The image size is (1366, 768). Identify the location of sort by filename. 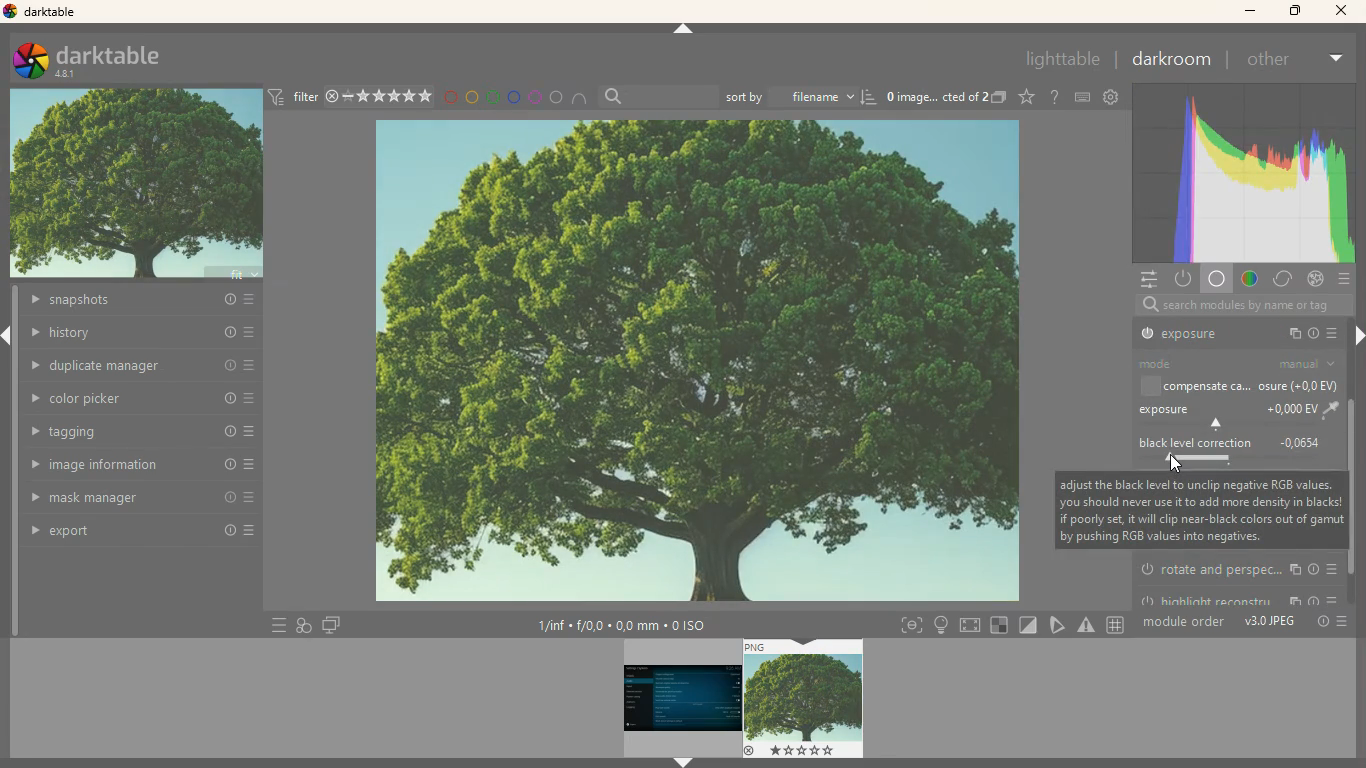
(799, 97).